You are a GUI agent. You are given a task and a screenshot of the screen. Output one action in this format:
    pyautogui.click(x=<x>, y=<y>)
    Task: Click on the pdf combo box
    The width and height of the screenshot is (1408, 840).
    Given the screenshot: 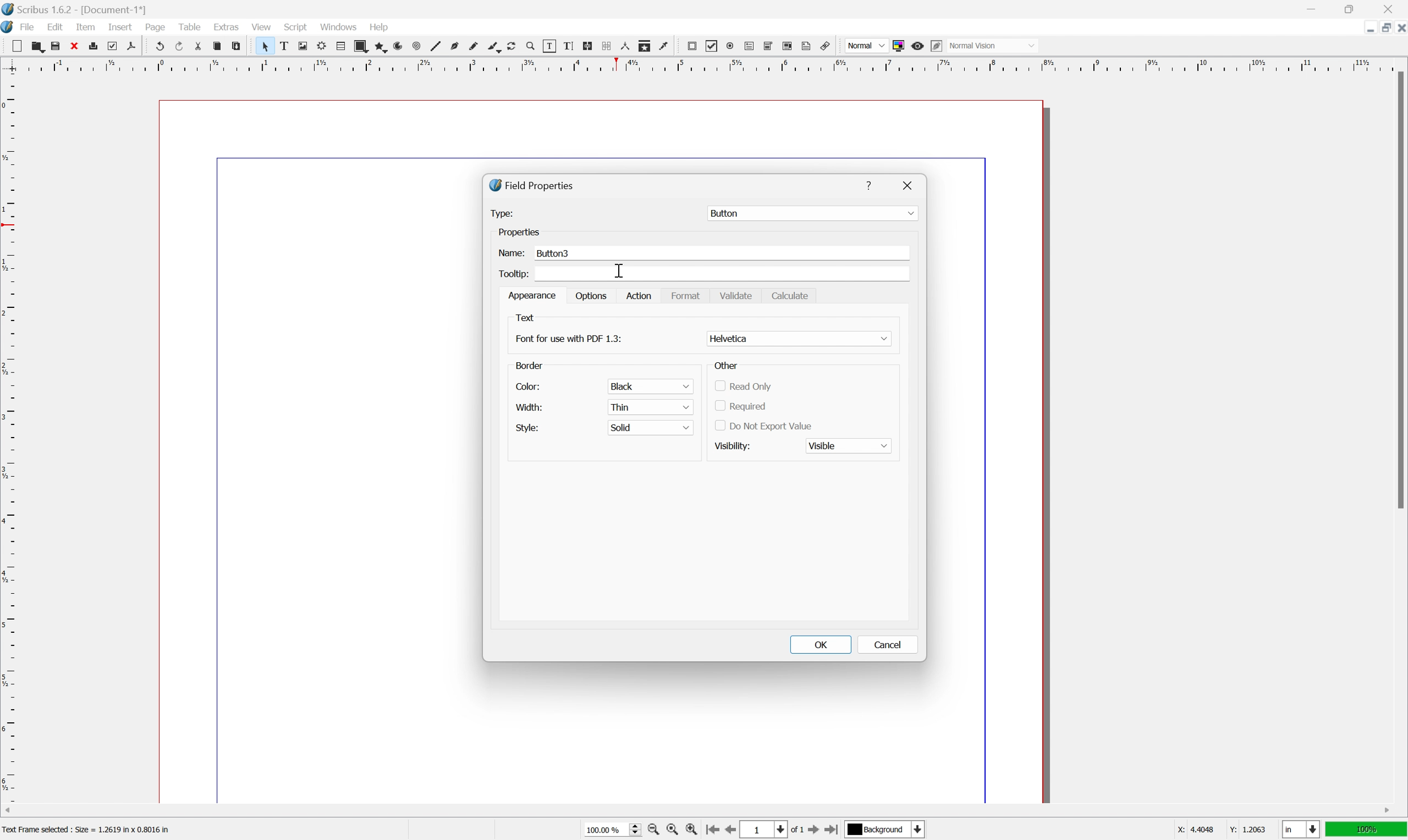 What is the action you would take?
    pyautogui.click(x=769, y=45)
    